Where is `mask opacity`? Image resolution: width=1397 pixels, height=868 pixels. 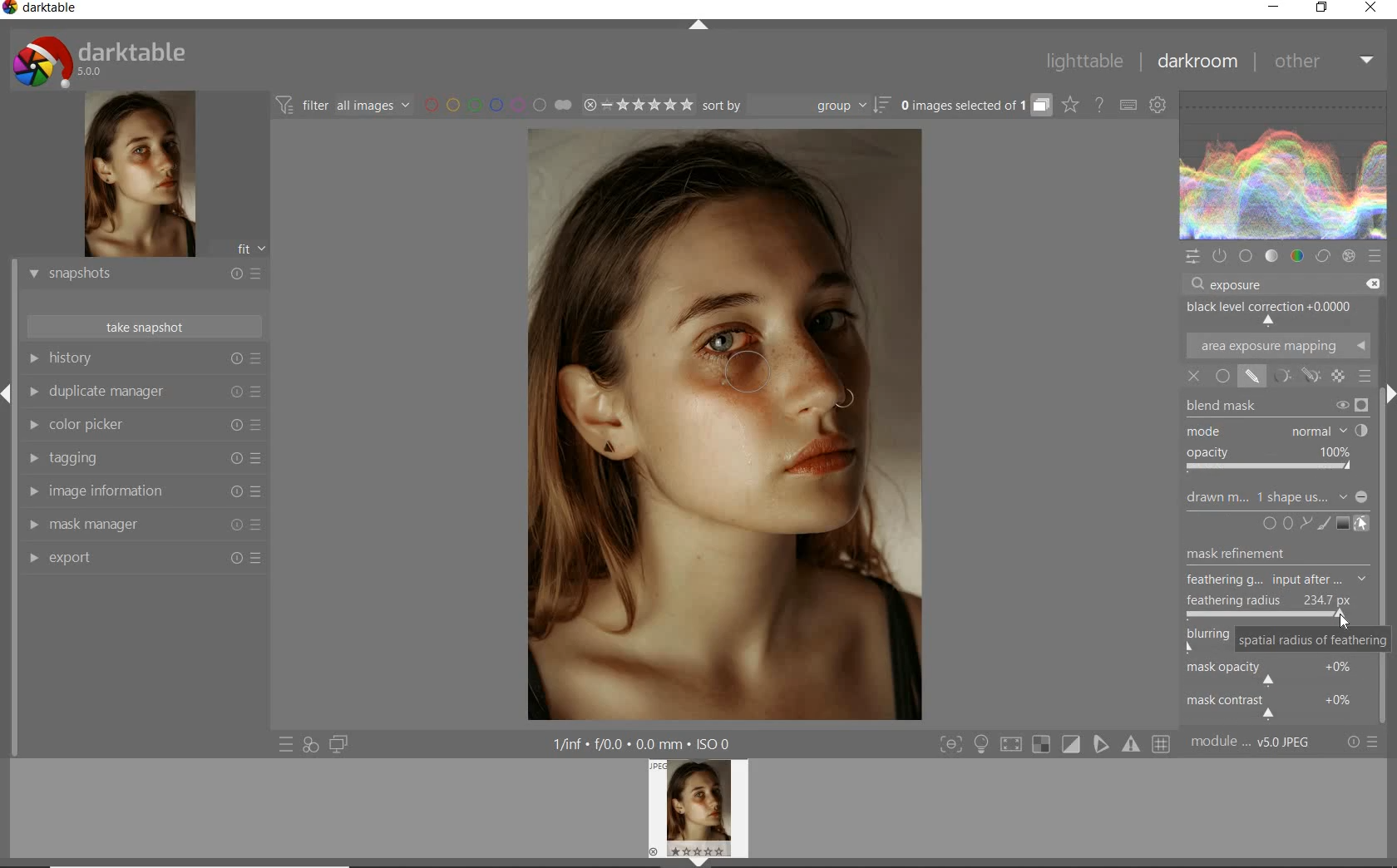
mask opacity is located at coordinates (1269, 675).